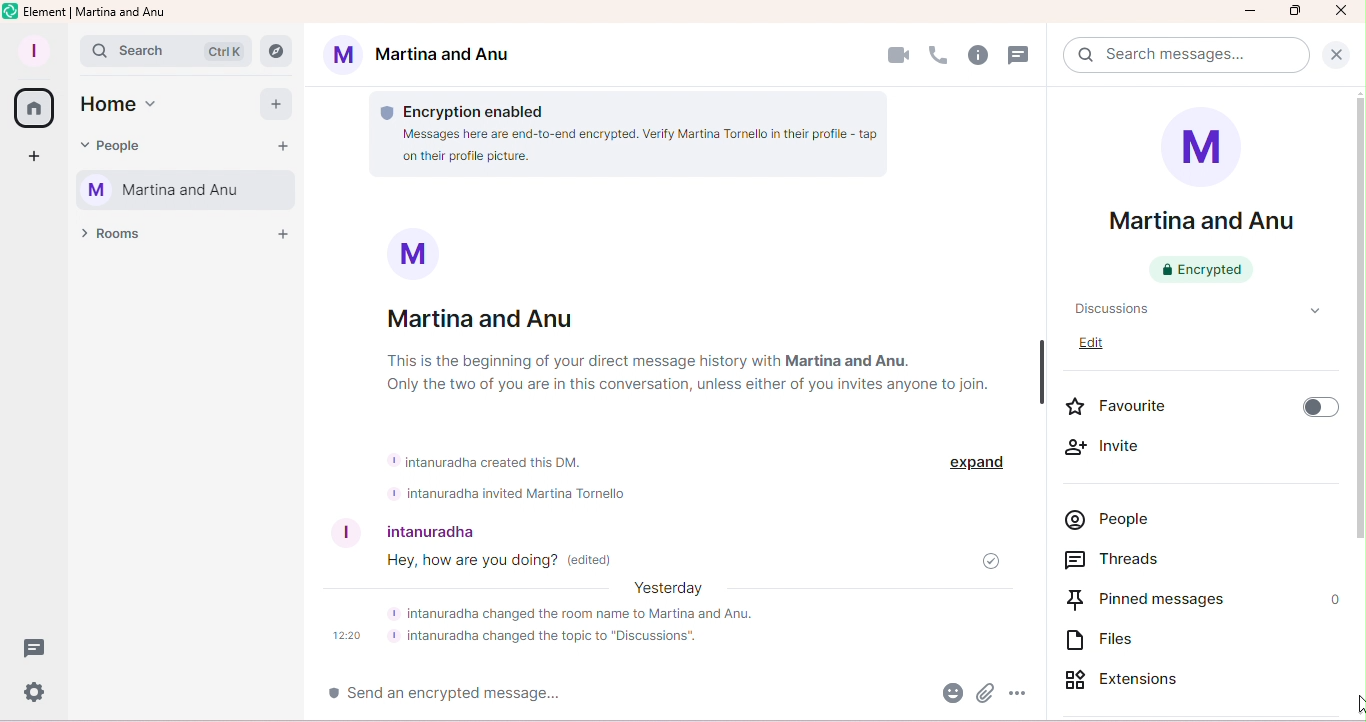 This screenshot has height=722, width=1366. I want to click on Minimize, so click(1251, 14).